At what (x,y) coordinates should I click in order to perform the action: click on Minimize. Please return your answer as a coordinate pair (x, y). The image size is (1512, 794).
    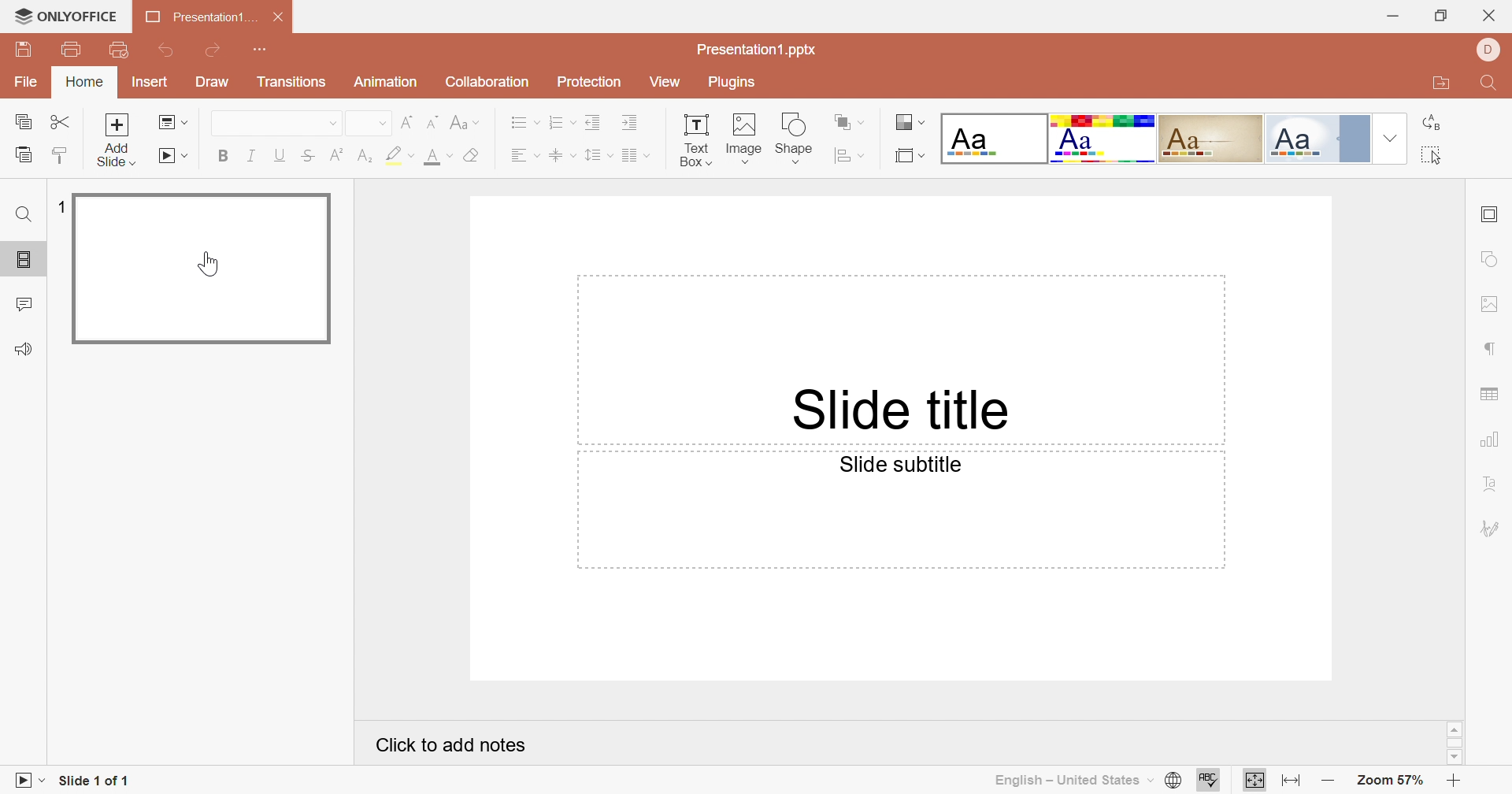
    Looking at the image, I should click on (1388, 16).